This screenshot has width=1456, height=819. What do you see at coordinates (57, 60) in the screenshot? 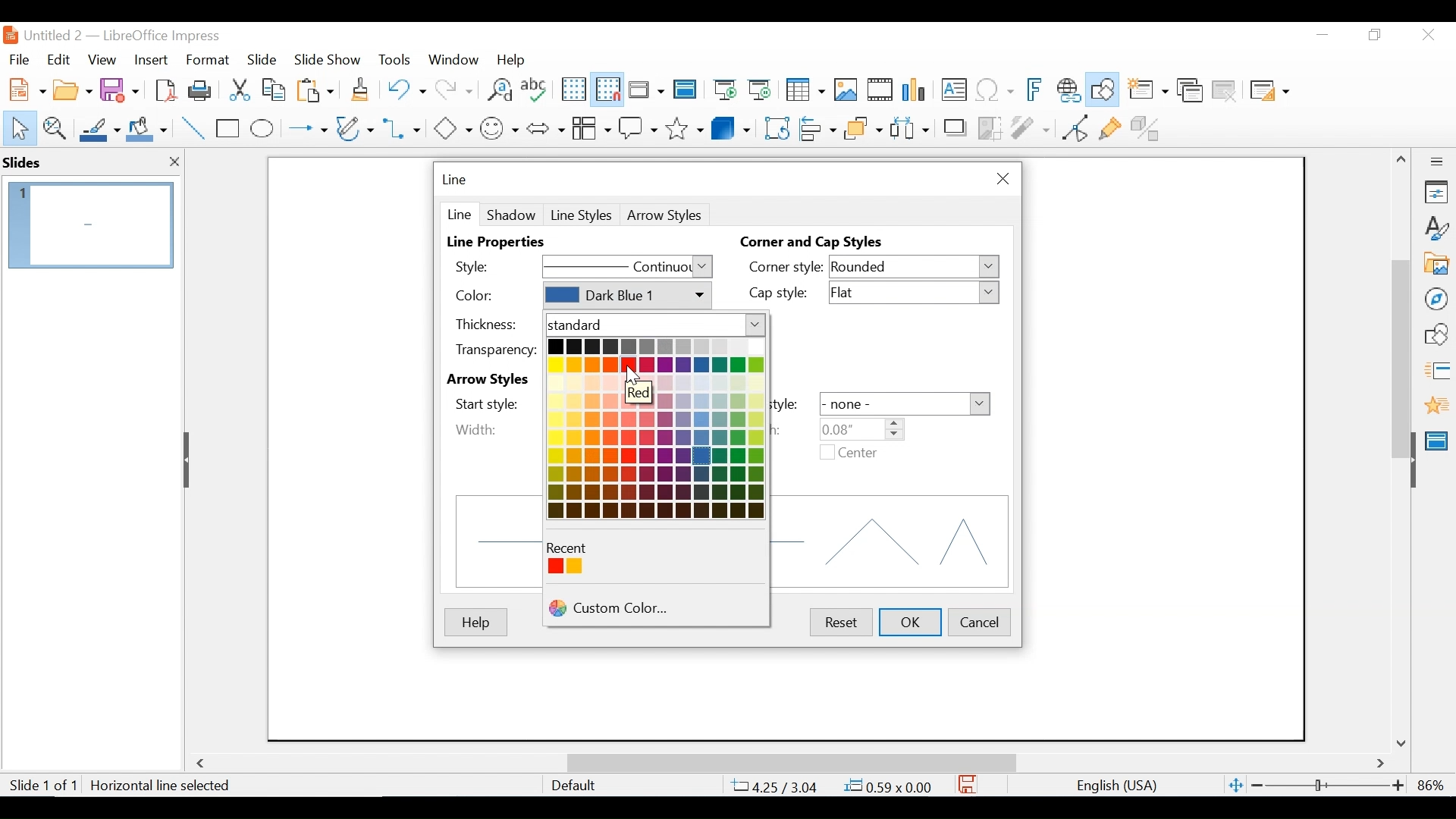
I see `Edit` at bounding box center [57, 60].